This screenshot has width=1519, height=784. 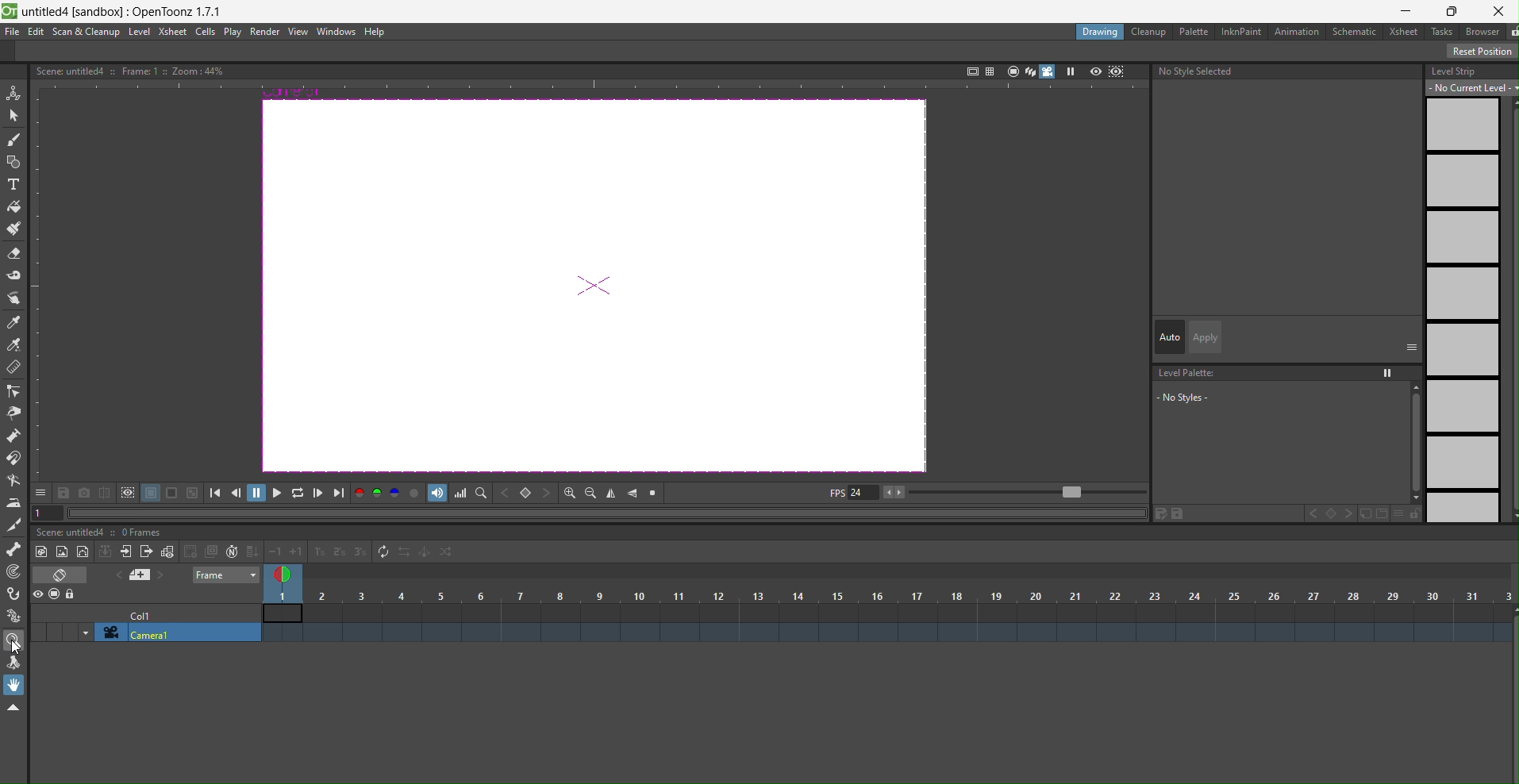 I want to click on , so click(x=232, y=552).